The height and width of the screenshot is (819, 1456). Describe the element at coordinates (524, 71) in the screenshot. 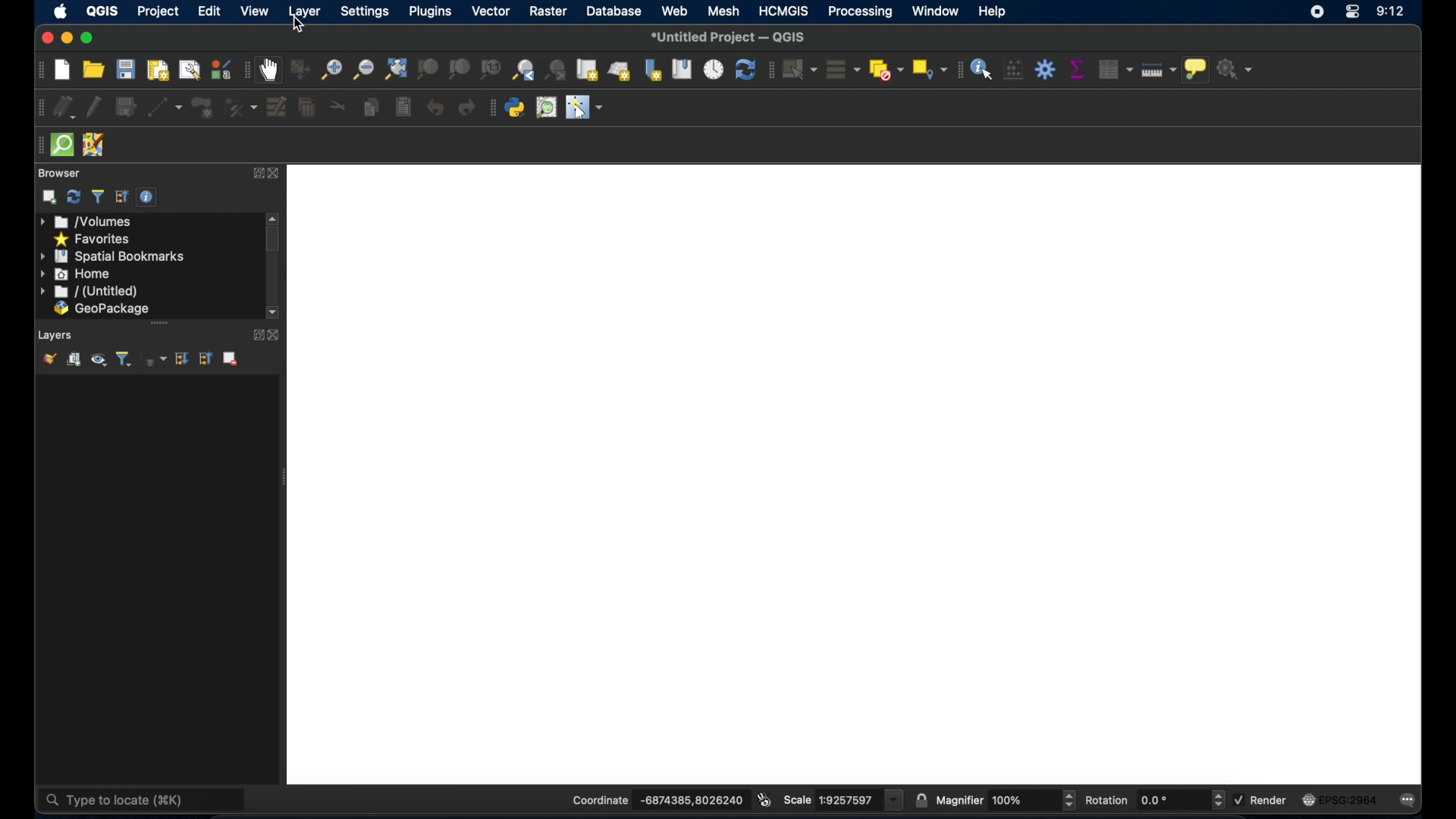

I see `zoom last` at that location.